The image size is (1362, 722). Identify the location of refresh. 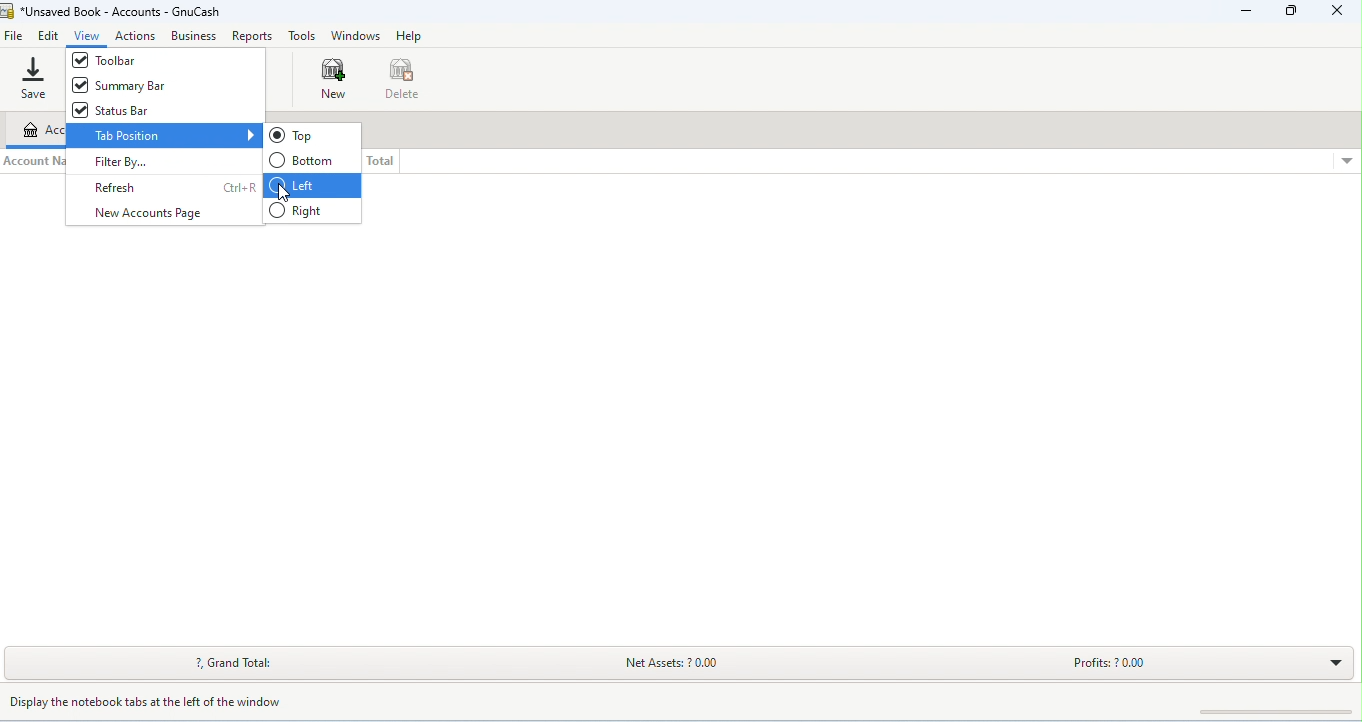
(172, 188).